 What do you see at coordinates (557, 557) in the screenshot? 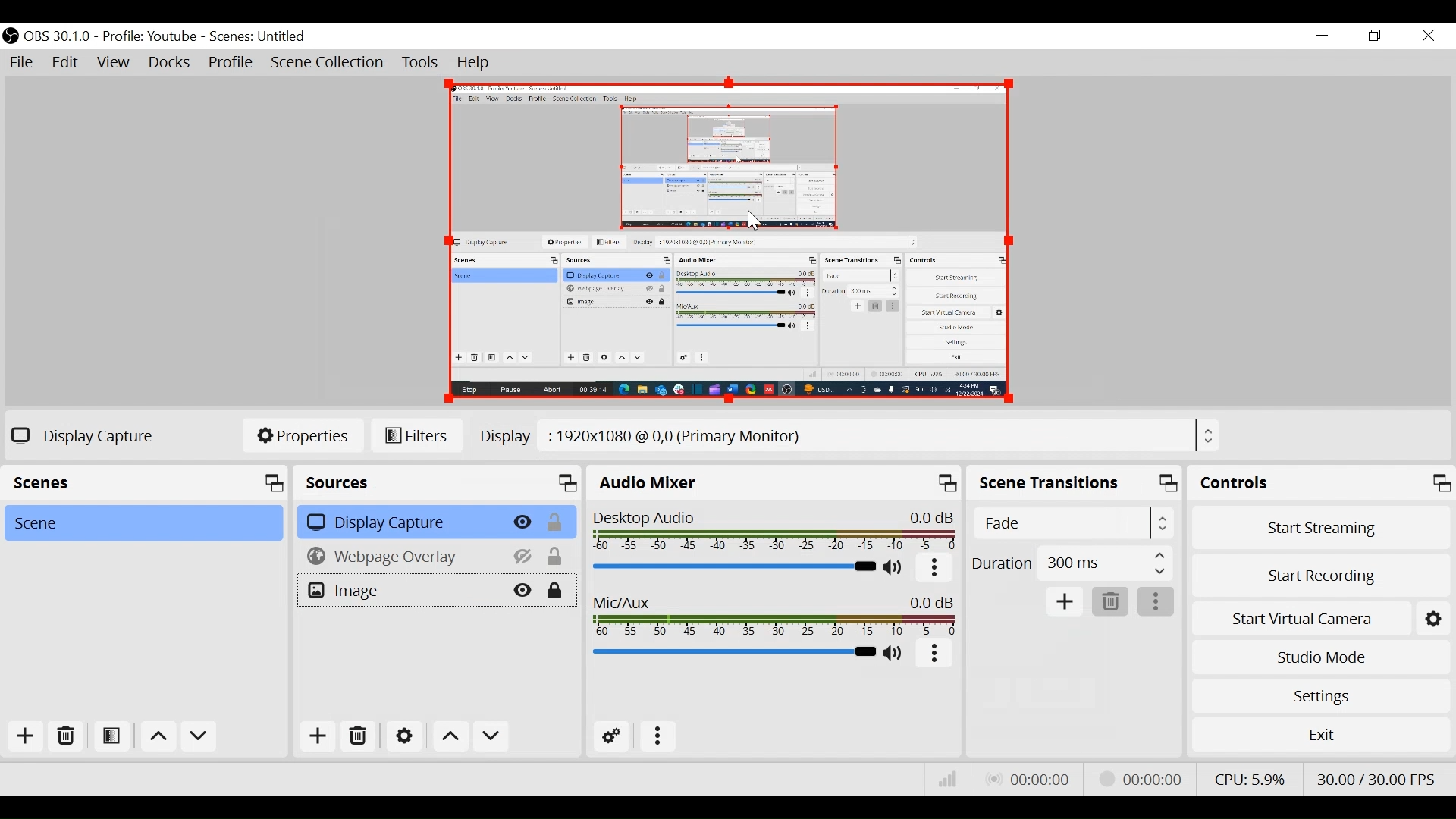
I see `(un)lock` at bounding box center [557, 557].